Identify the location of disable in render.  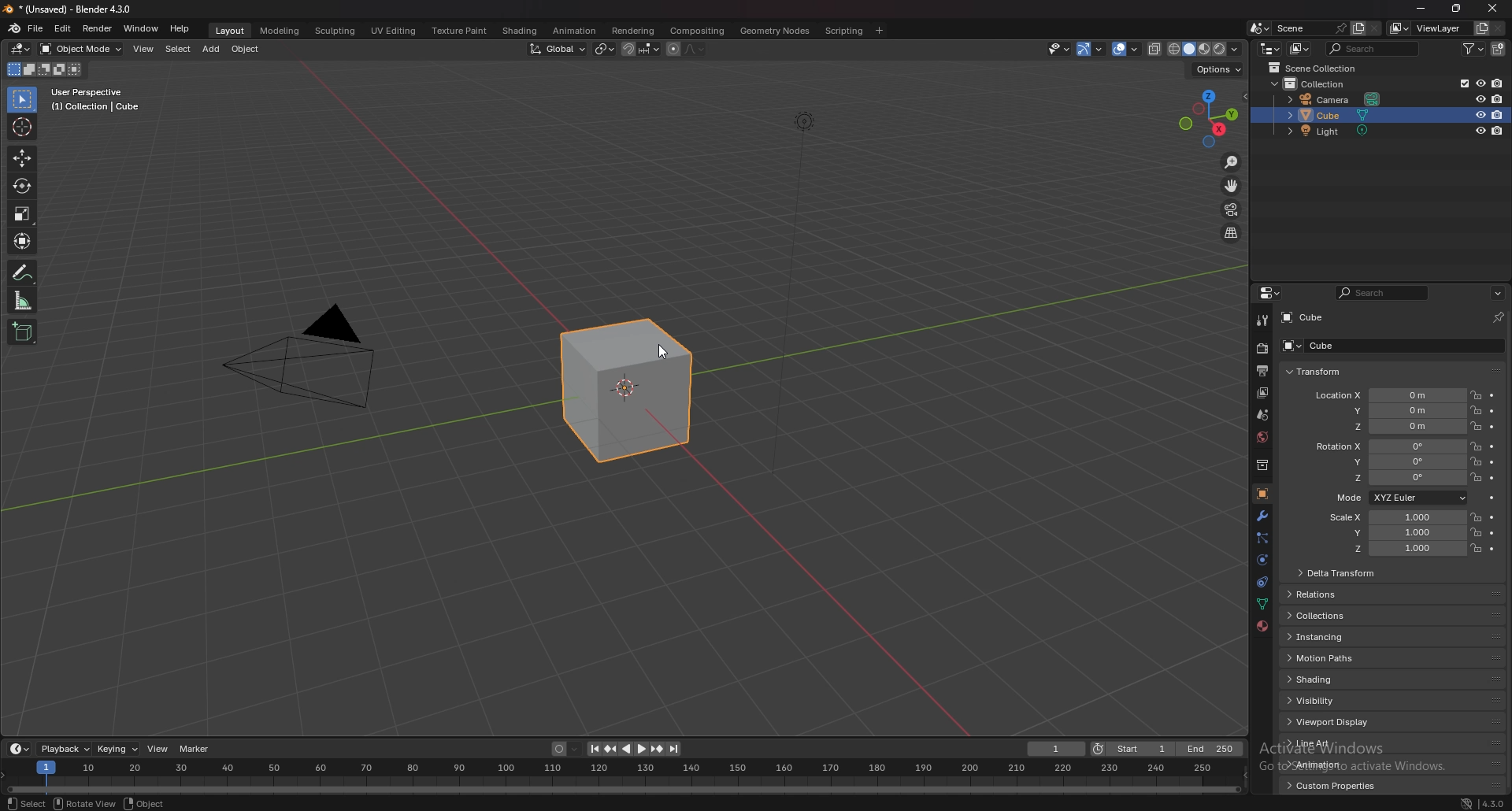
(1498, 83).